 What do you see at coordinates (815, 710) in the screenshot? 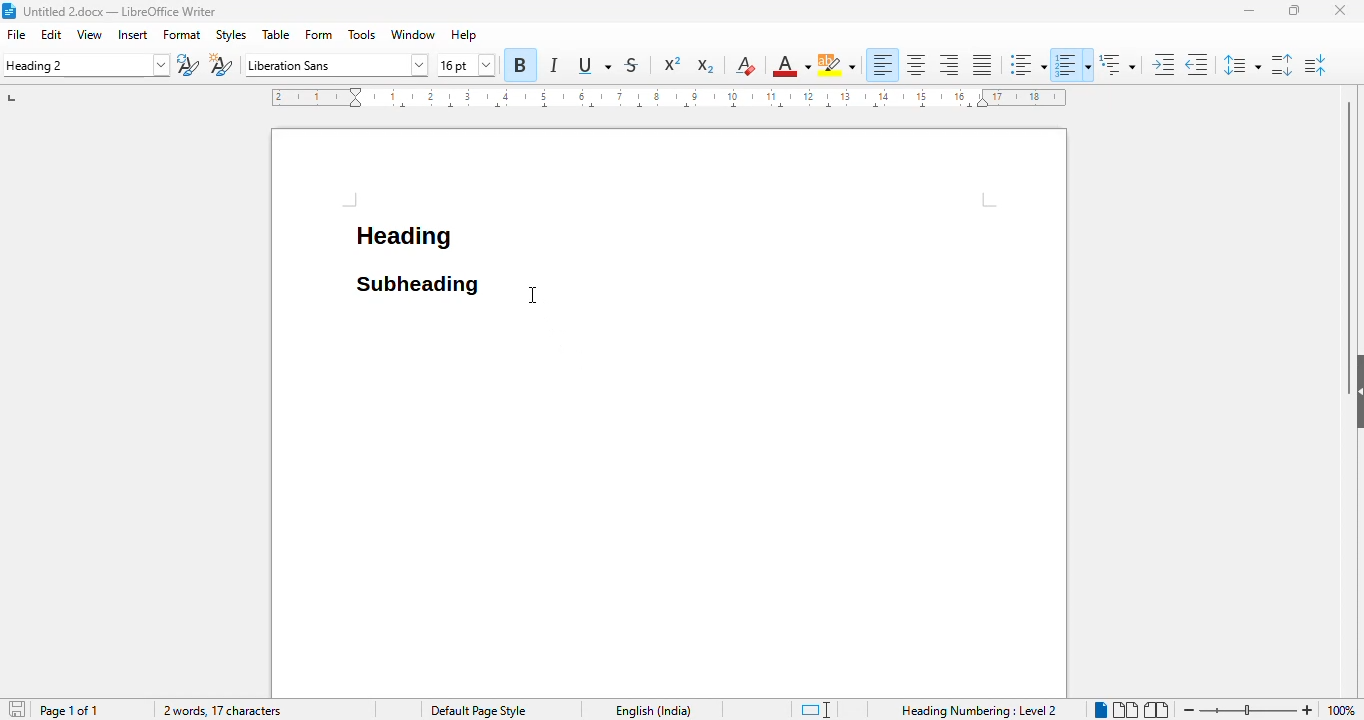
I see `standard selection` at bounding box center [815, 710].